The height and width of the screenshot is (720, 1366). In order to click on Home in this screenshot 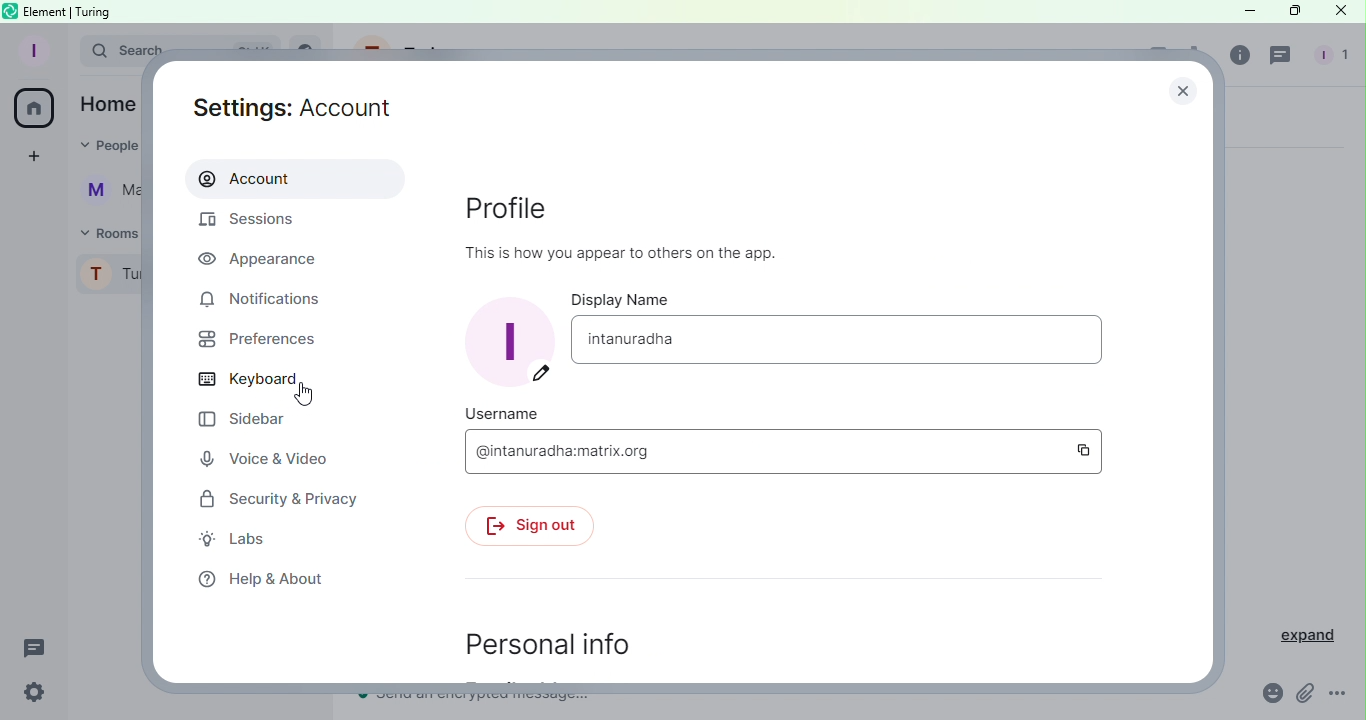, I will do `click(33, 110)`.